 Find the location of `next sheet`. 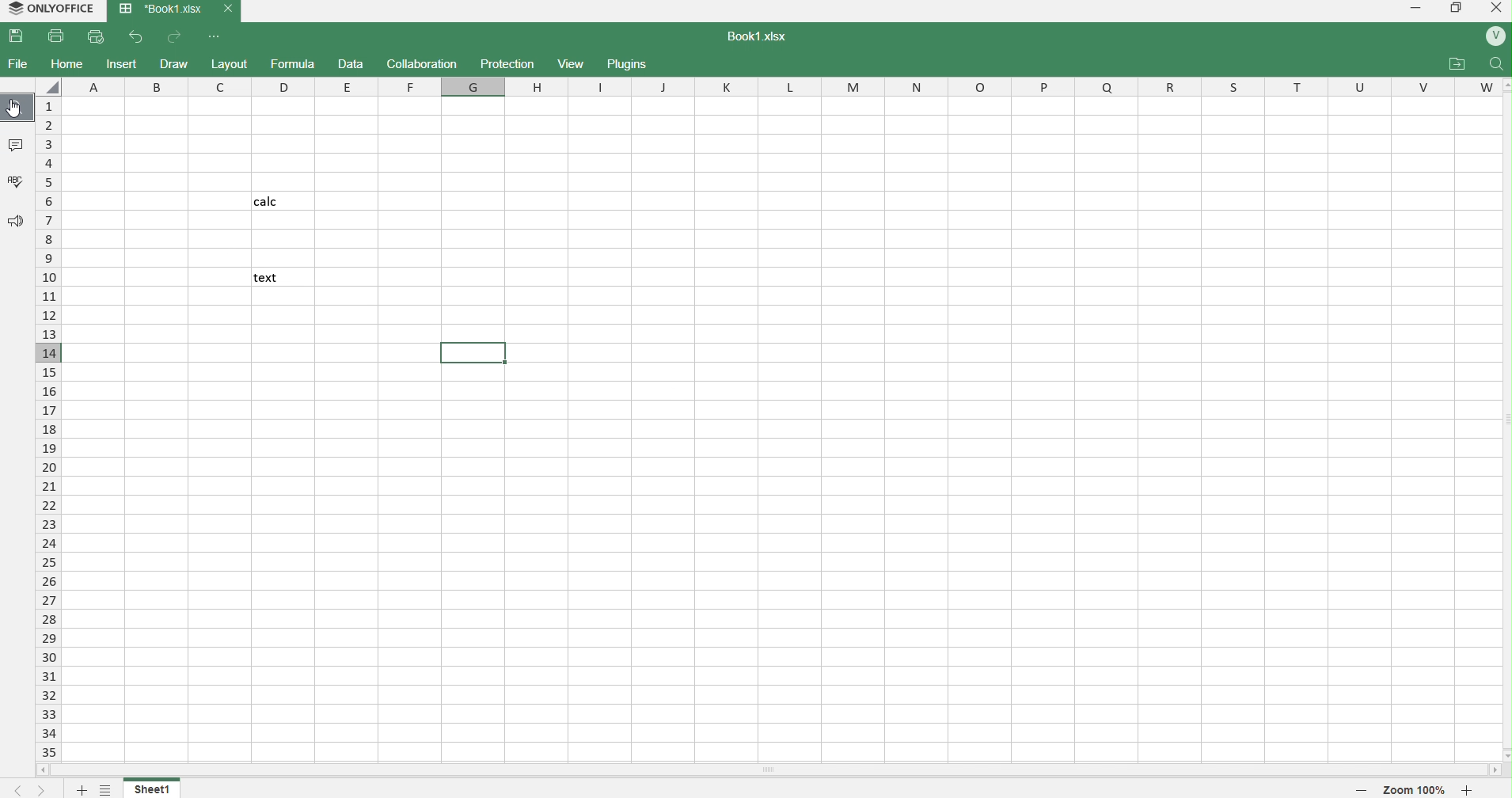

next sheet is located at coordinates (40, 788).